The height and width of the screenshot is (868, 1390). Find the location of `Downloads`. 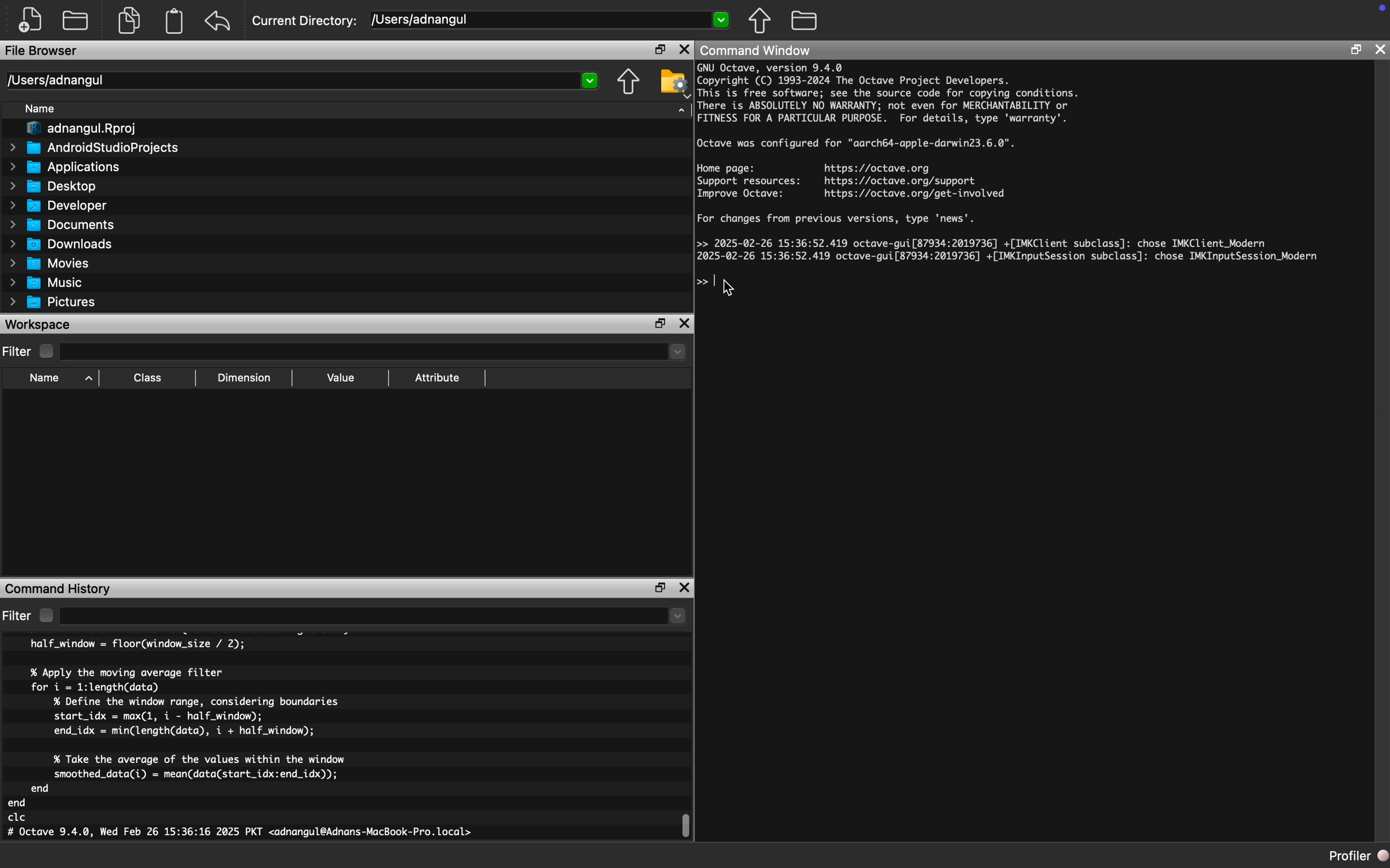

Downloads is located at coordinates (63, 245).